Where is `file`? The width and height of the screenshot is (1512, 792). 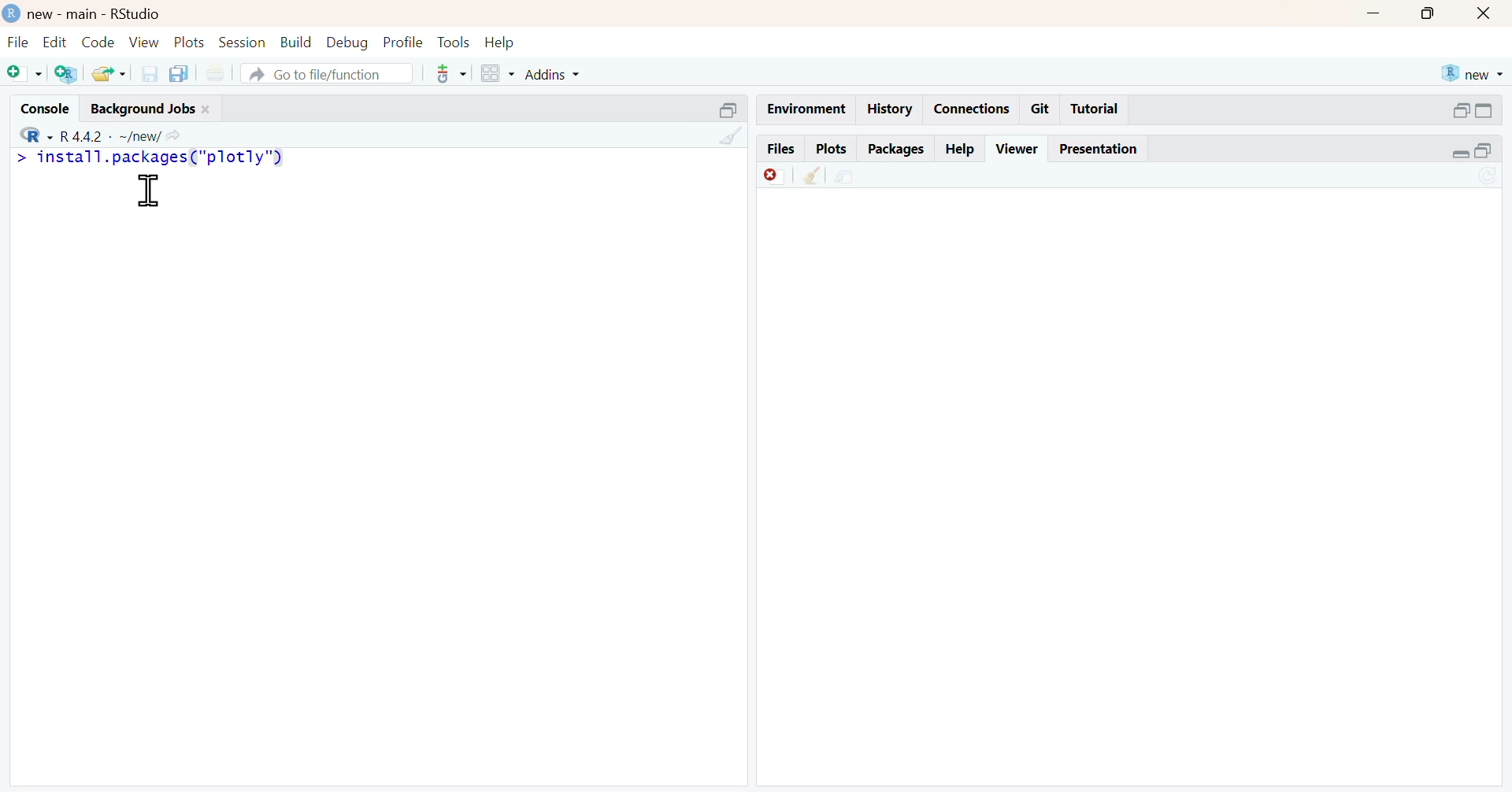
file is located at coordinates (16, 42).